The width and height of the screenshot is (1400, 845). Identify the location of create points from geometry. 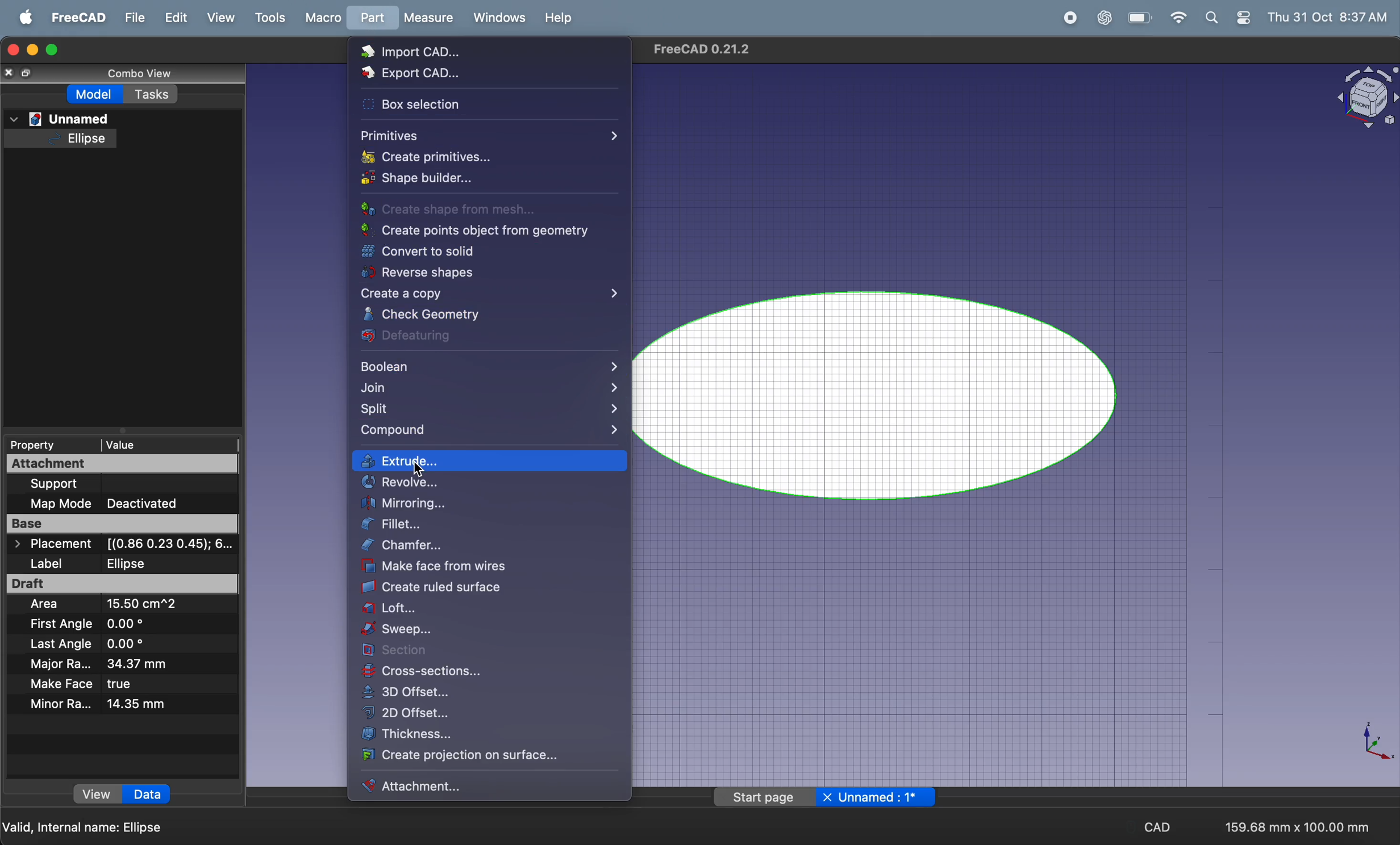
(477, 229).